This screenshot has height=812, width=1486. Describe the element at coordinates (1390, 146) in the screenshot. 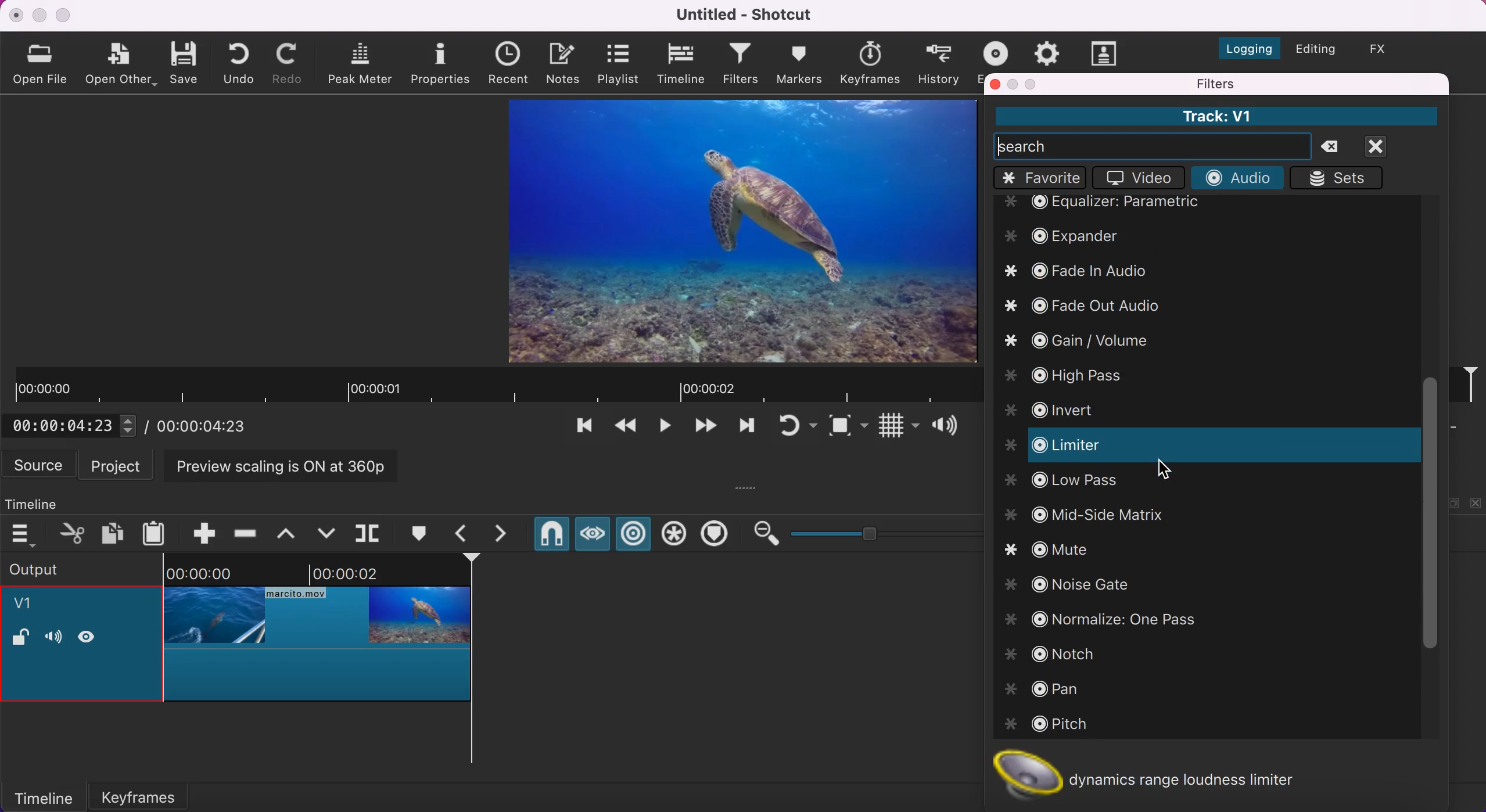

I see `close` at that location.